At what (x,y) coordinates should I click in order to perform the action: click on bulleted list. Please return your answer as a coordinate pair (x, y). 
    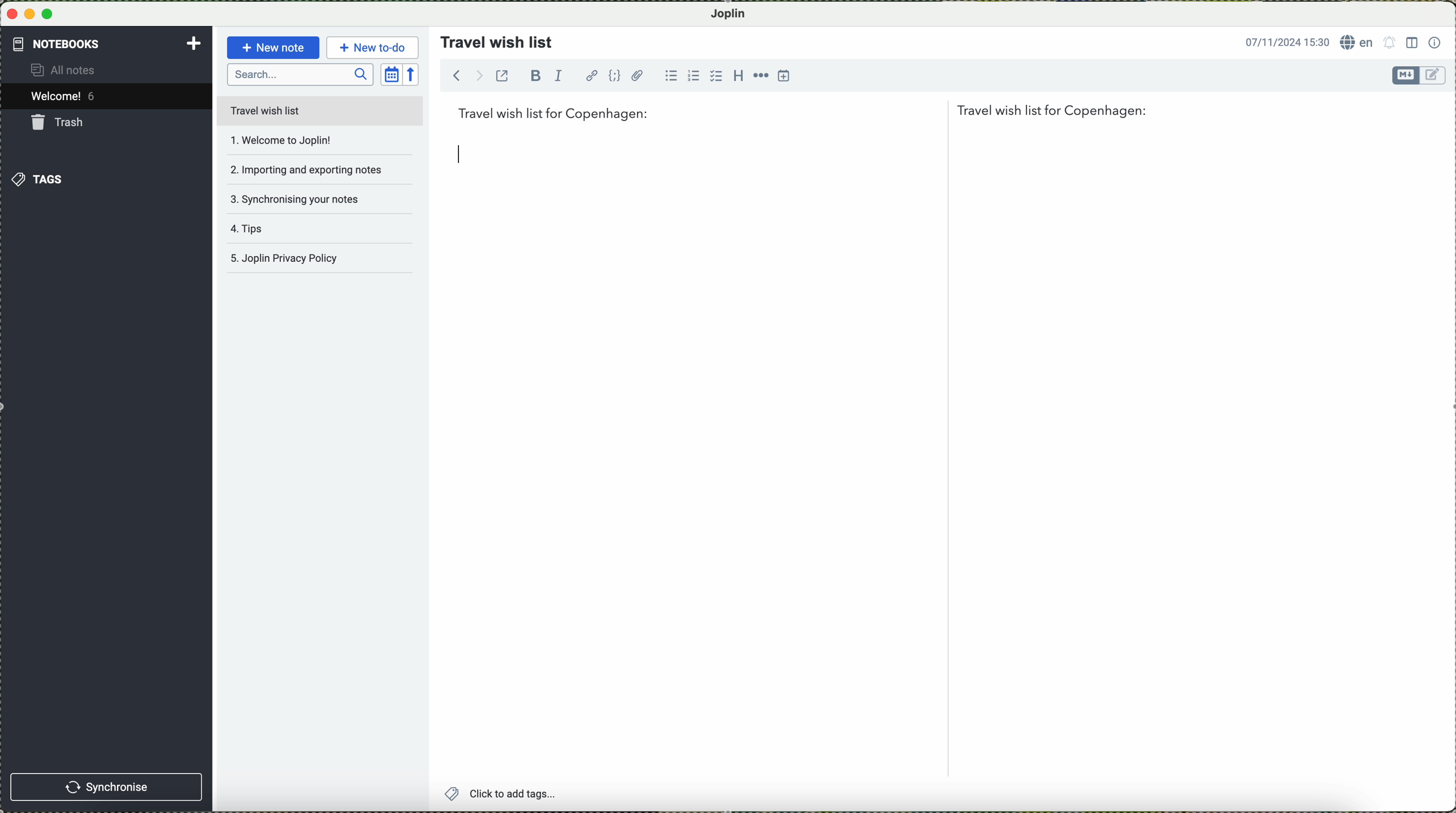
    Looking at the image, I should click on (670, 76).